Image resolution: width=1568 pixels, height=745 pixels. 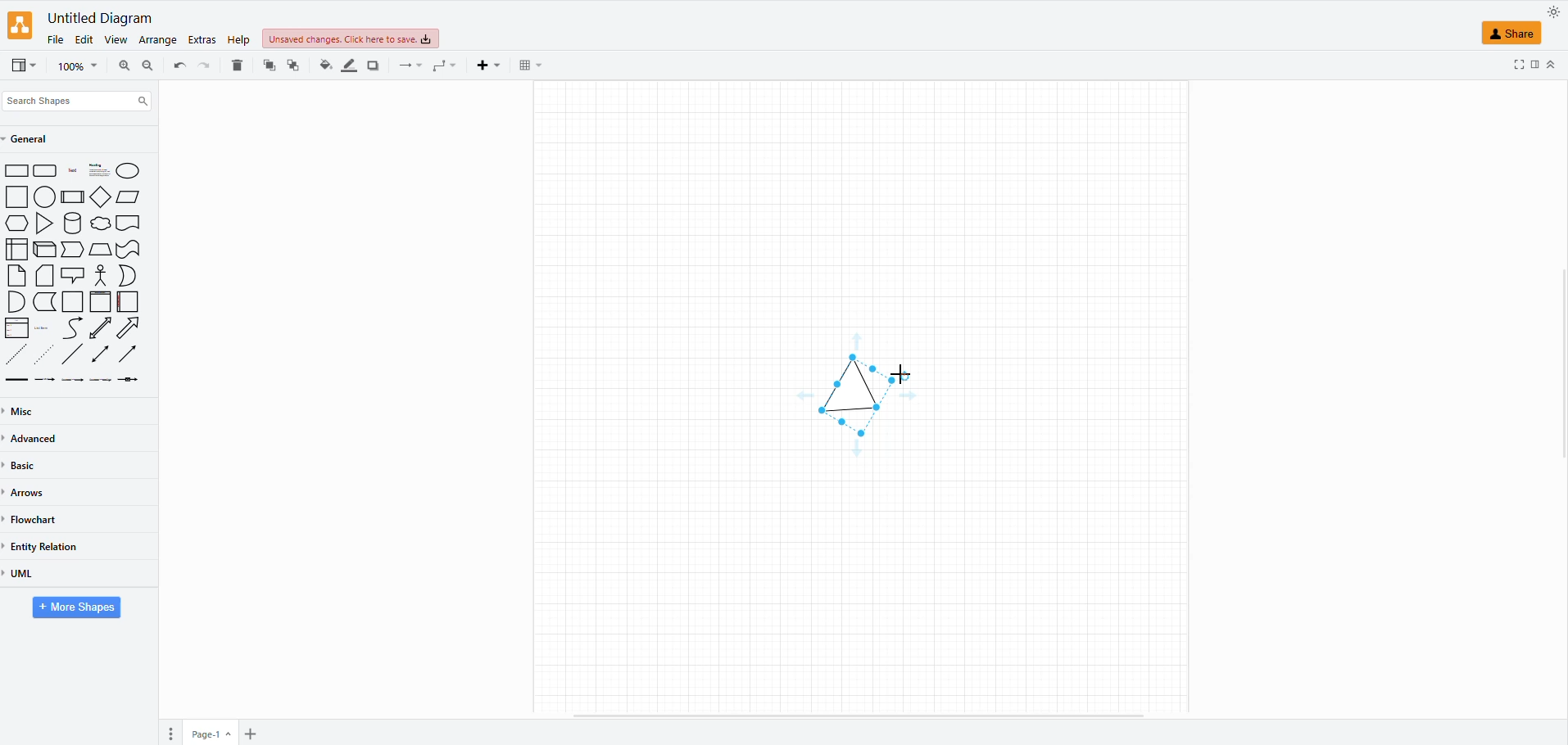 I want to click on cursor, so click(x=903, y=382).